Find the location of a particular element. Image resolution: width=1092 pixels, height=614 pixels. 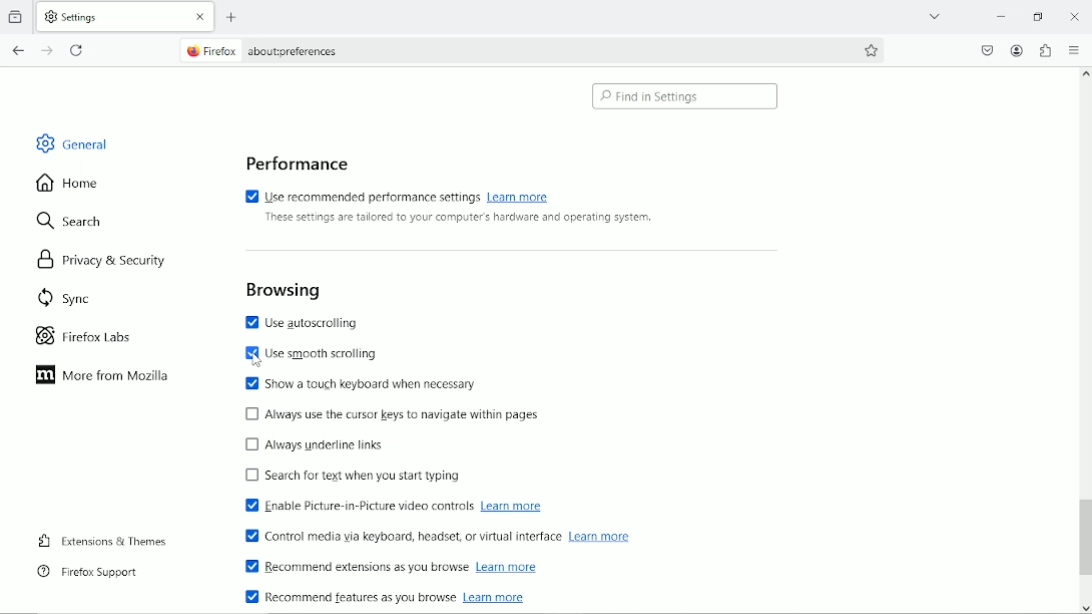

These settings are tailored to your computer's hardware and operating system. is located at coordinates (457, 219).